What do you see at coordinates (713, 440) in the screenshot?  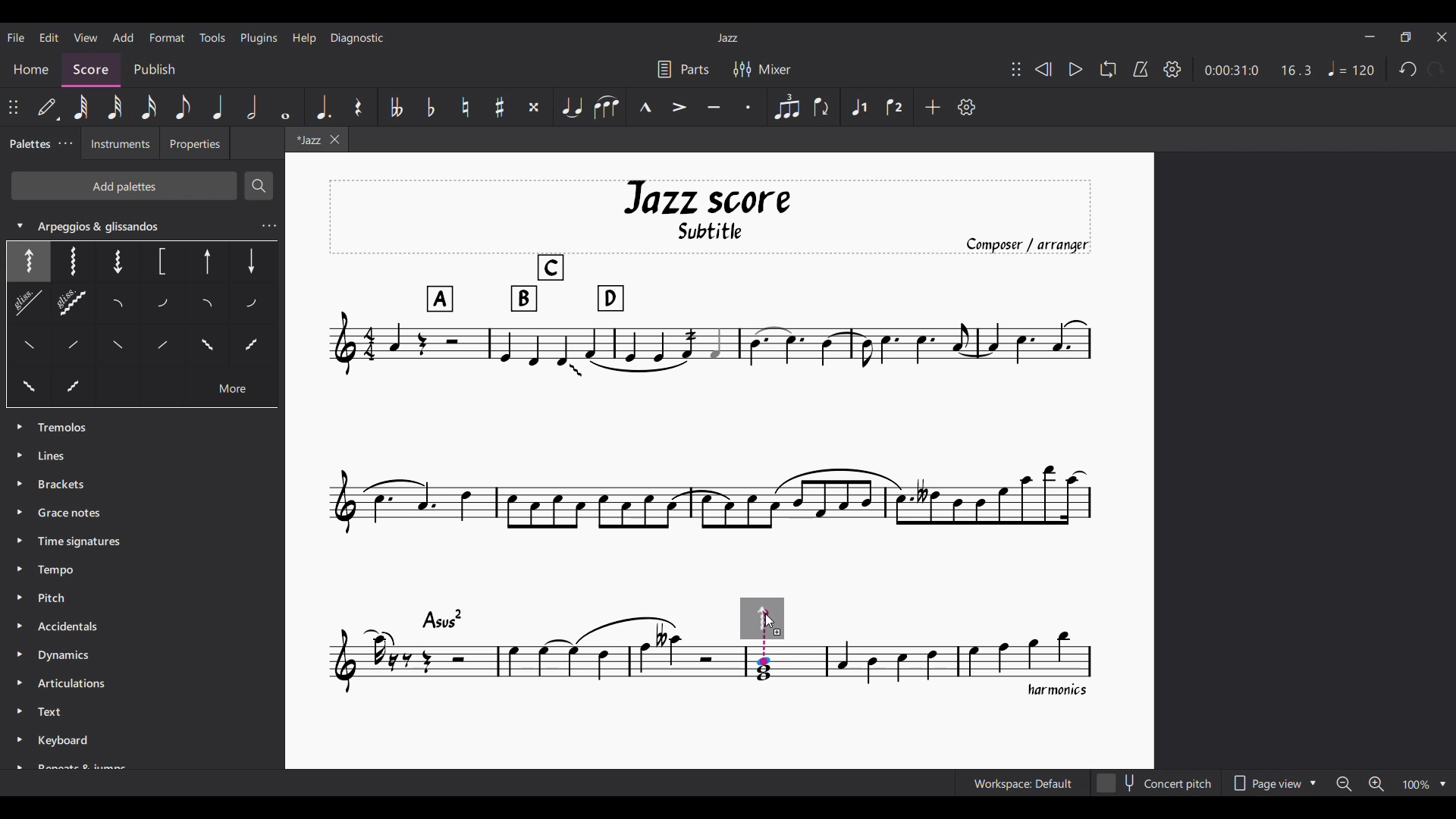 I see `Current score` at bounding box center [713, 440].